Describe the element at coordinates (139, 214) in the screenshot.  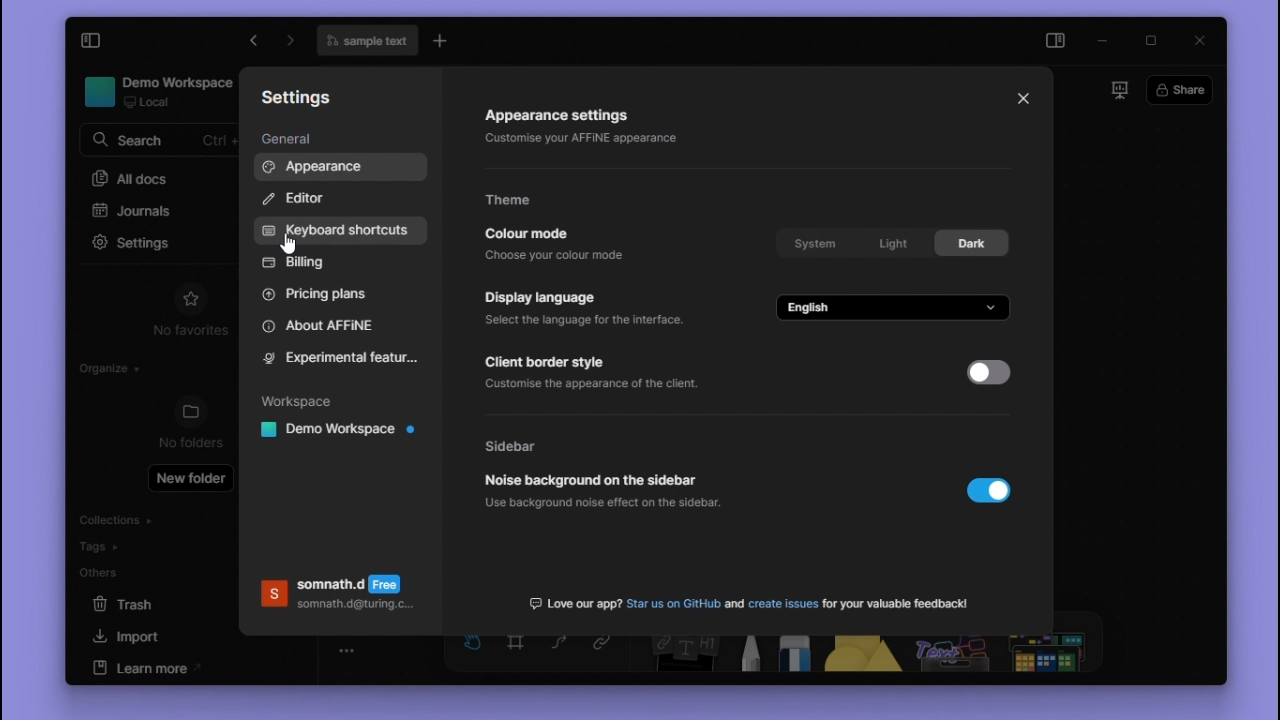
I see `Journals` at that location.